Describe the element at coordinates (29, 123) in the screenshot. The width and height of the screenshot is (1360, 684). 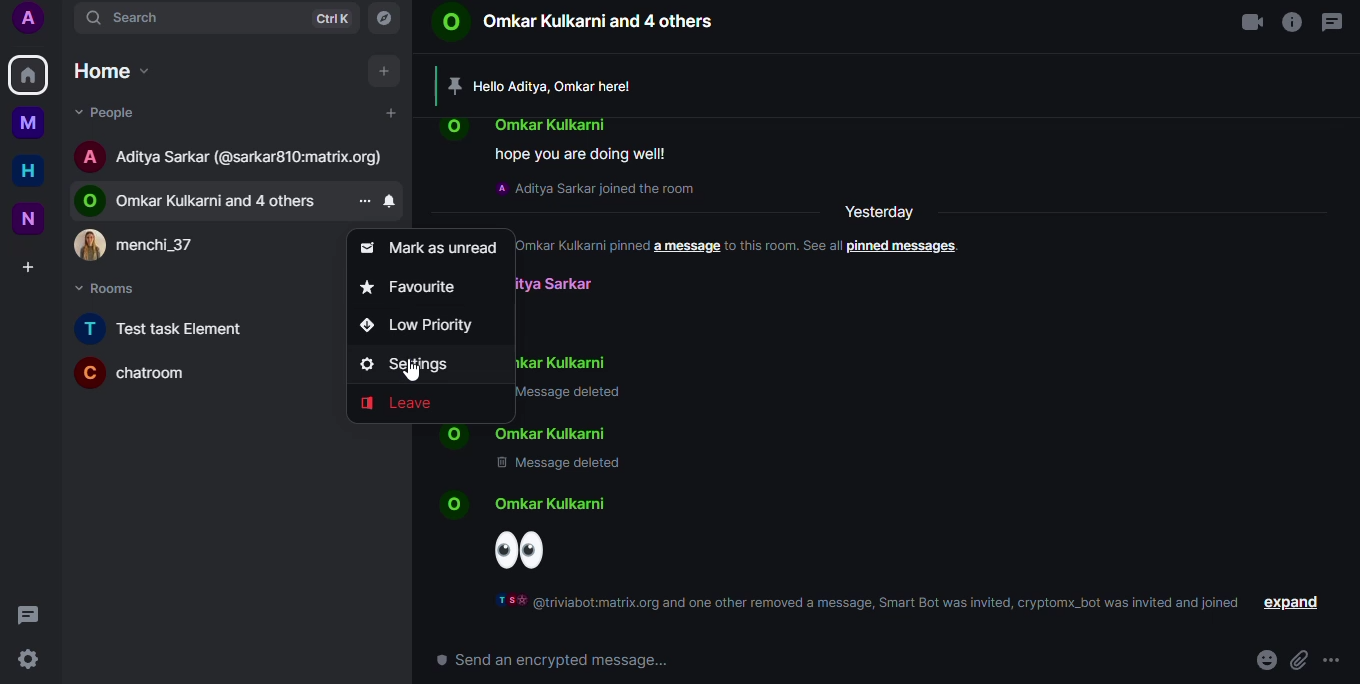
I see `myspace` at that location.